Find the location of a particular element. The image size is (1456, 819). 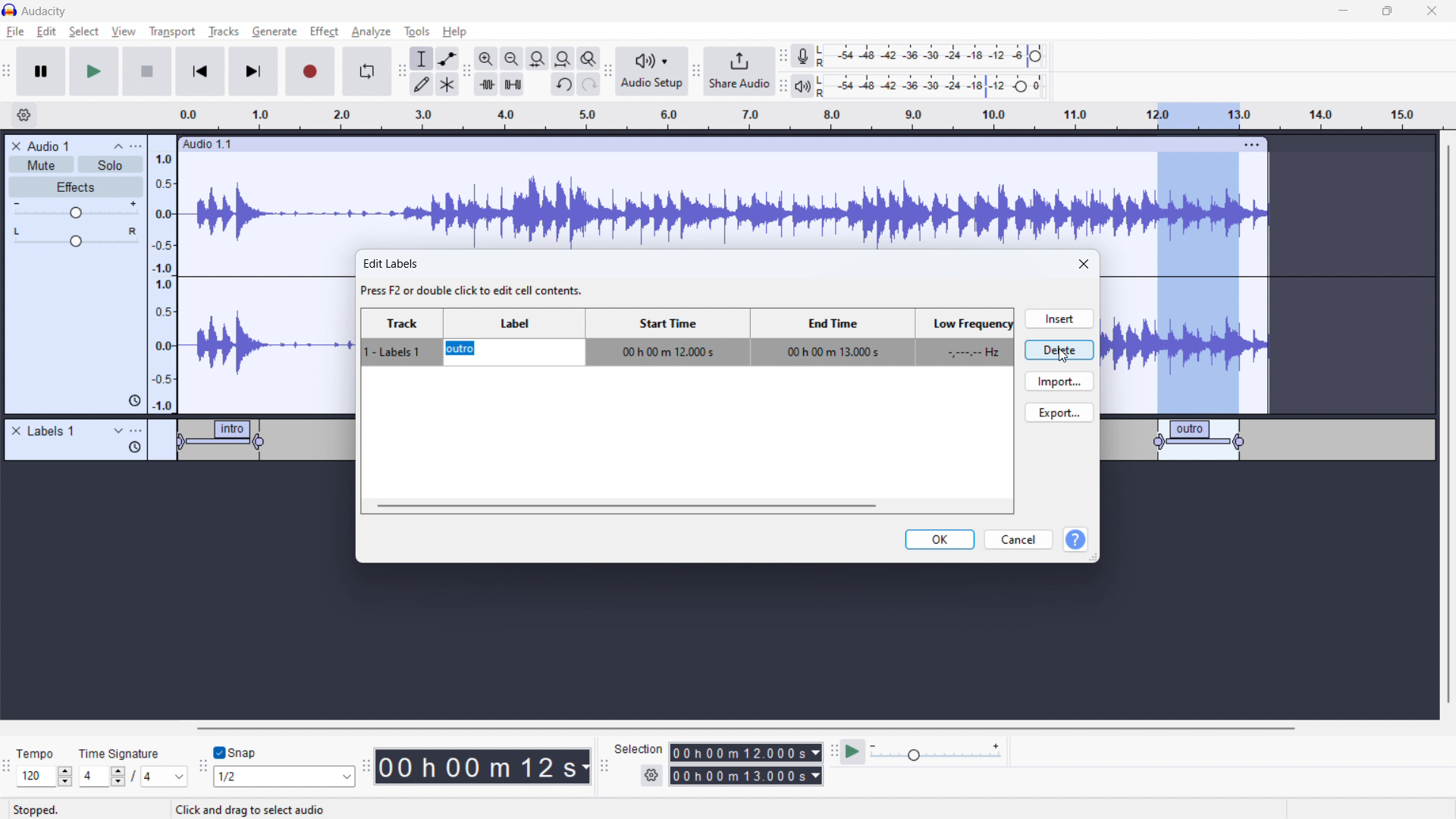

resize is located at coordinates (1094, 557).